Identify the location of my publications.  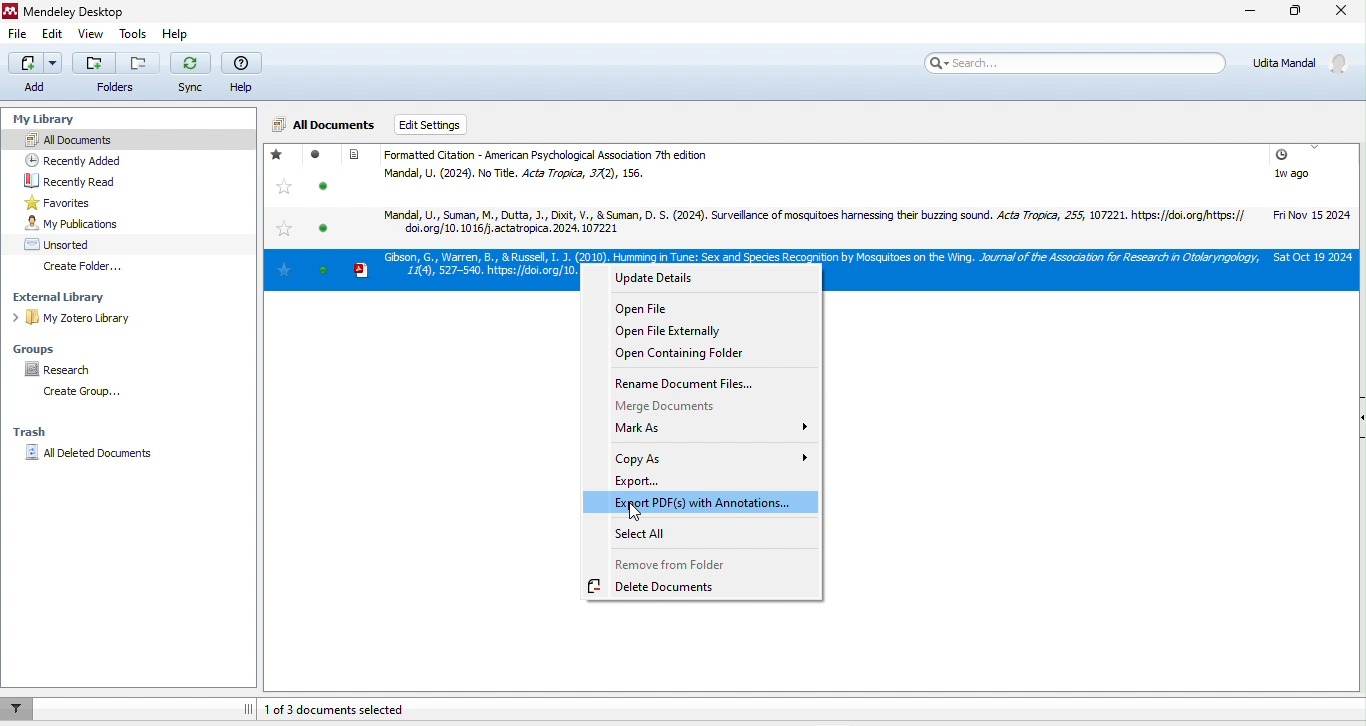
(88, 224).